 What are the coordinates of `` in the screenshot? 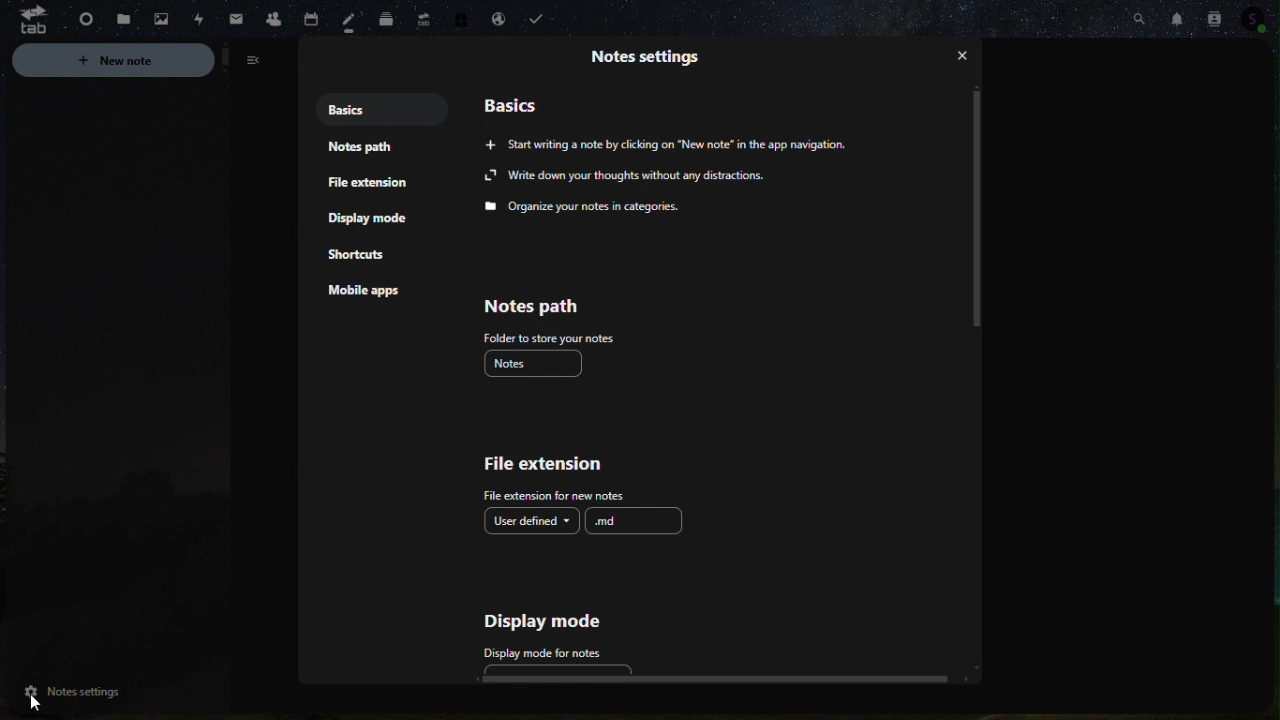 It's located at (366, 215).